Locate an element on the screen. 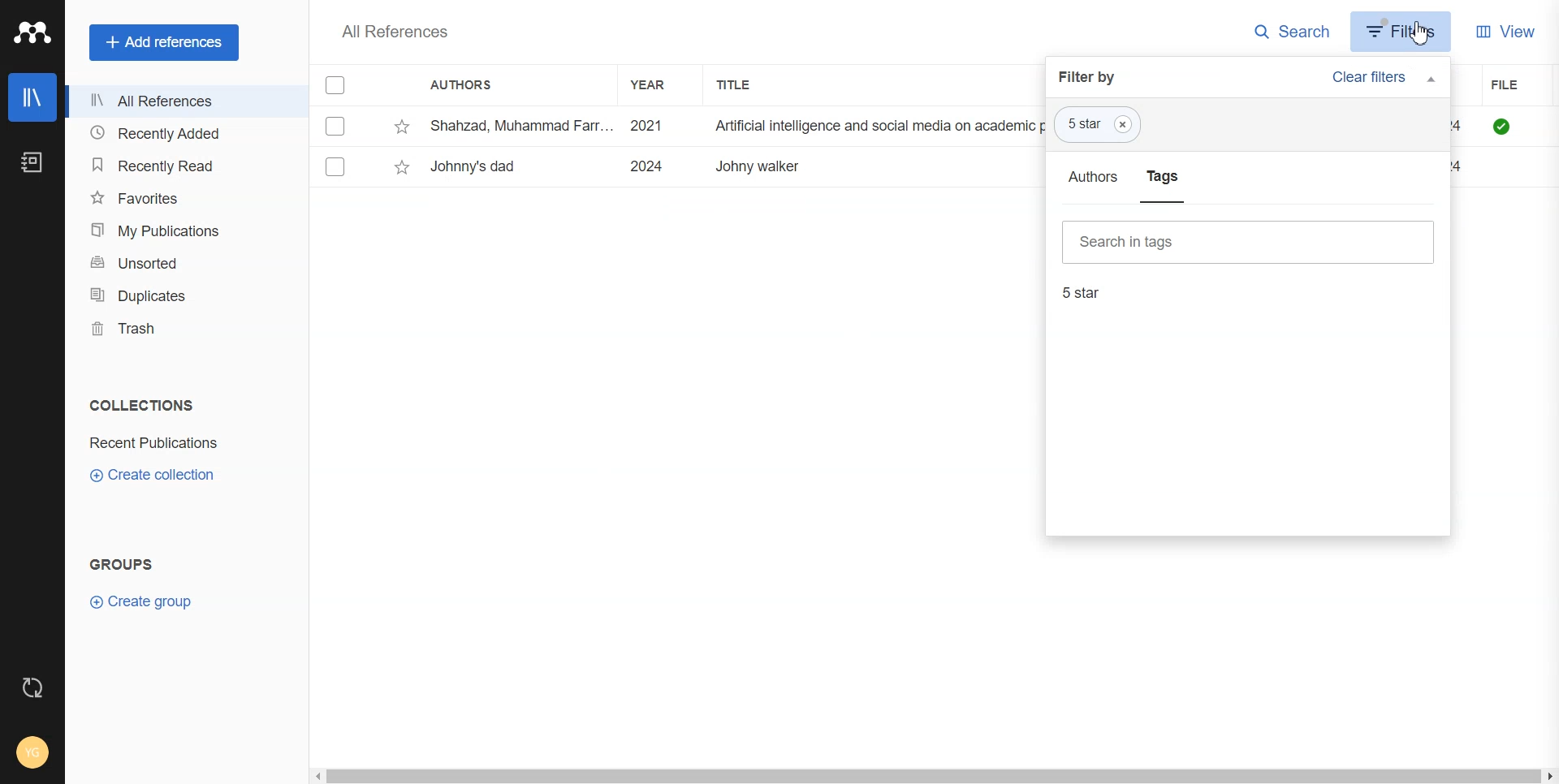  text 1 is located at coordinates (138, 405).